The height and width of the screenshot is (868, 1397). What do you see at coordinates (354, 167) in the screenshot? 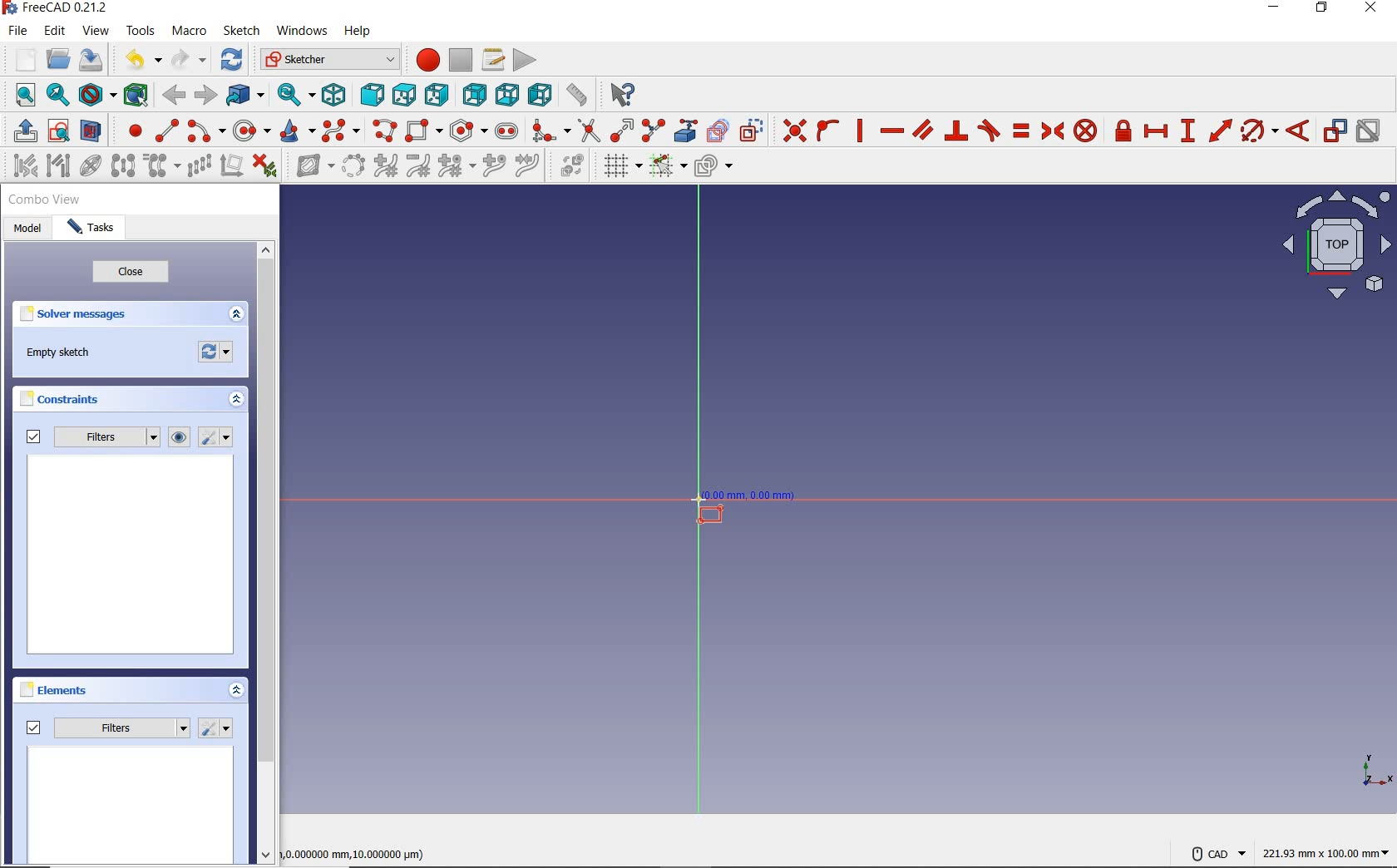
I see `convert geometry to B-Spline` at bounding box center [354, 167].